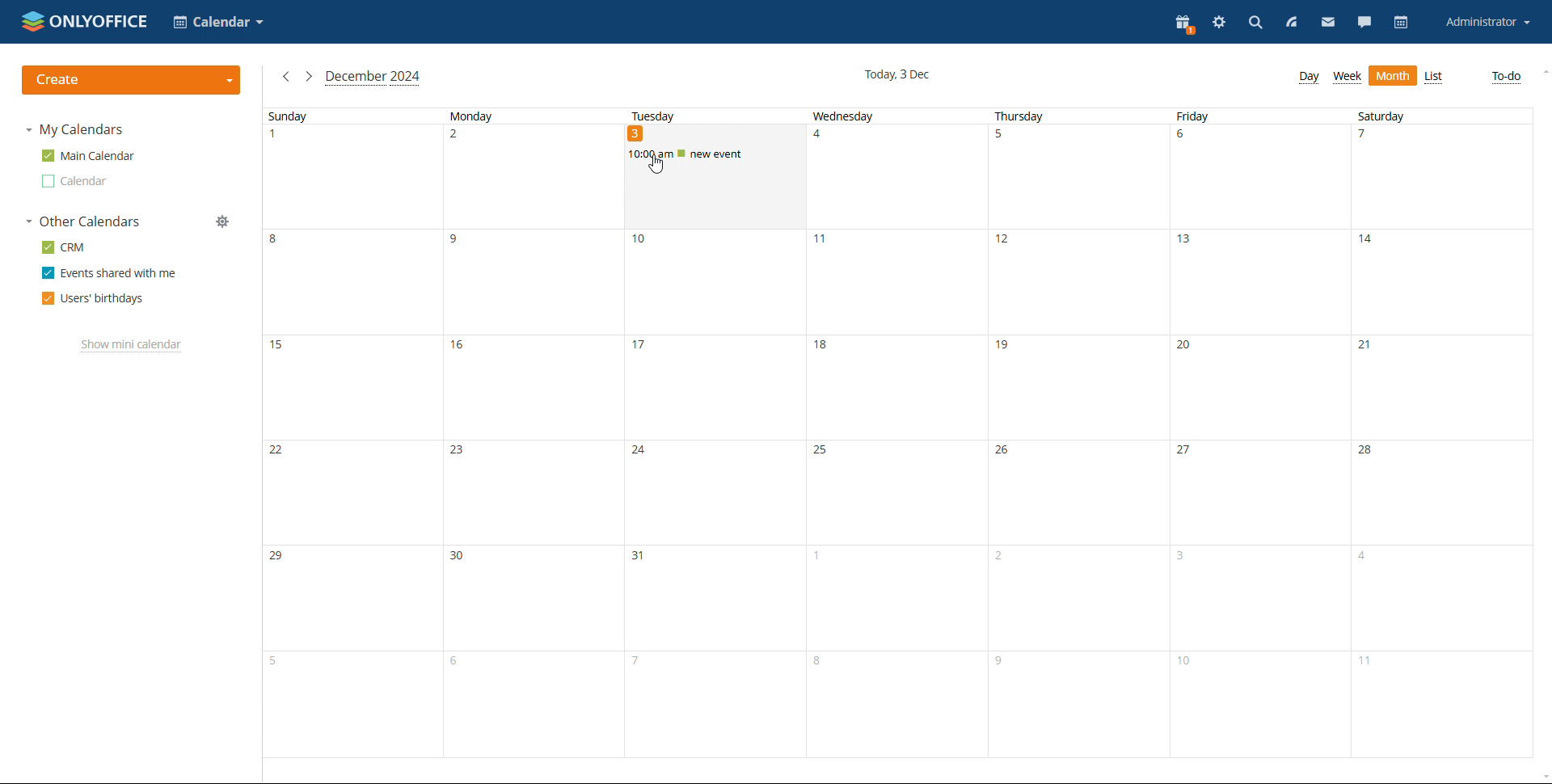 Image resolution: width=1552 pixels, height=784 pixels. What do you see at coordinates (353, 492) in the screenshot?
I see `22` at bounding box center [353, 492].